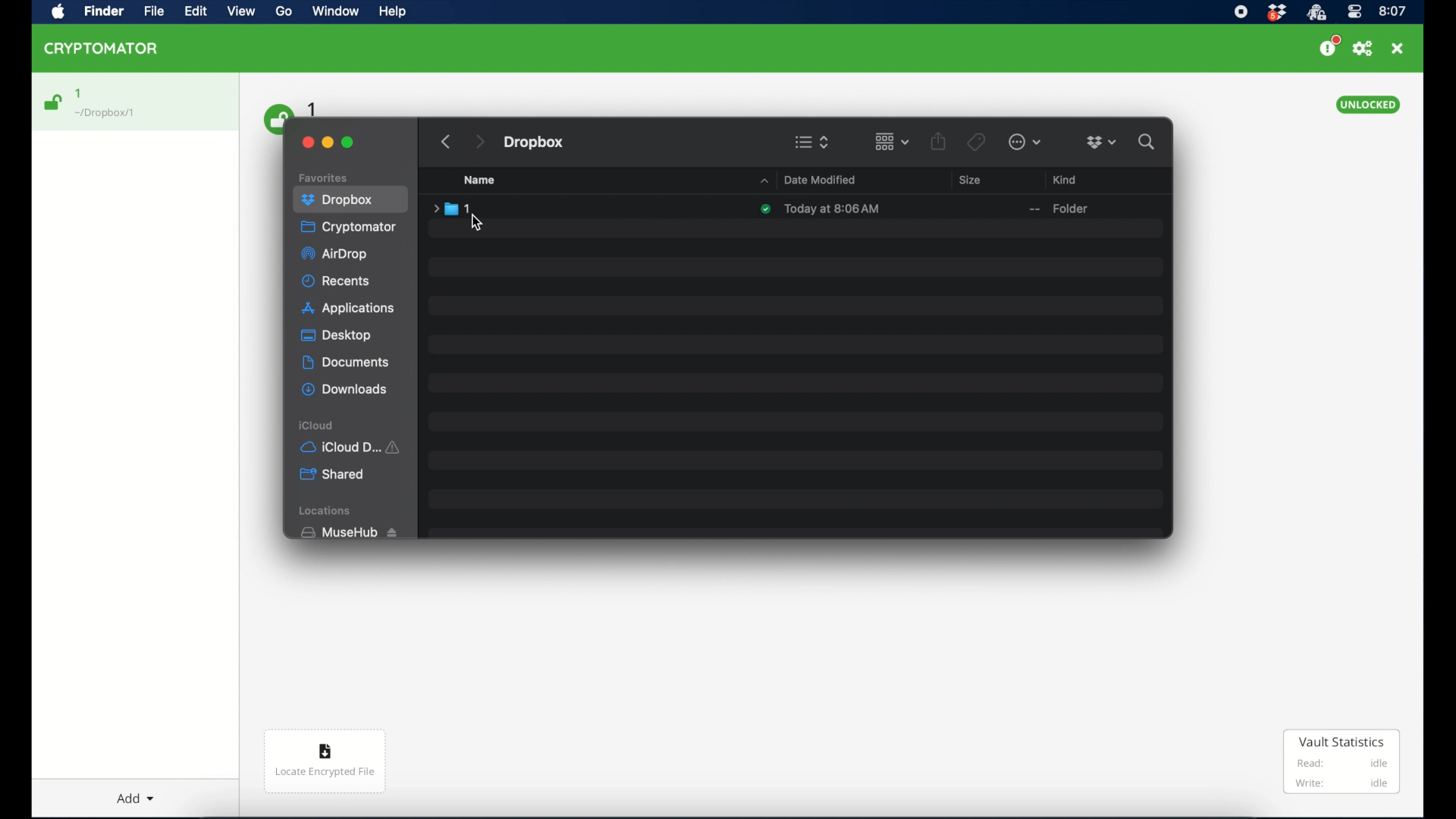 This screenshot has width=1456, height=819. Describe the element at coordinates (535, 142) in the screenshot. I see `dropbox` at that location.